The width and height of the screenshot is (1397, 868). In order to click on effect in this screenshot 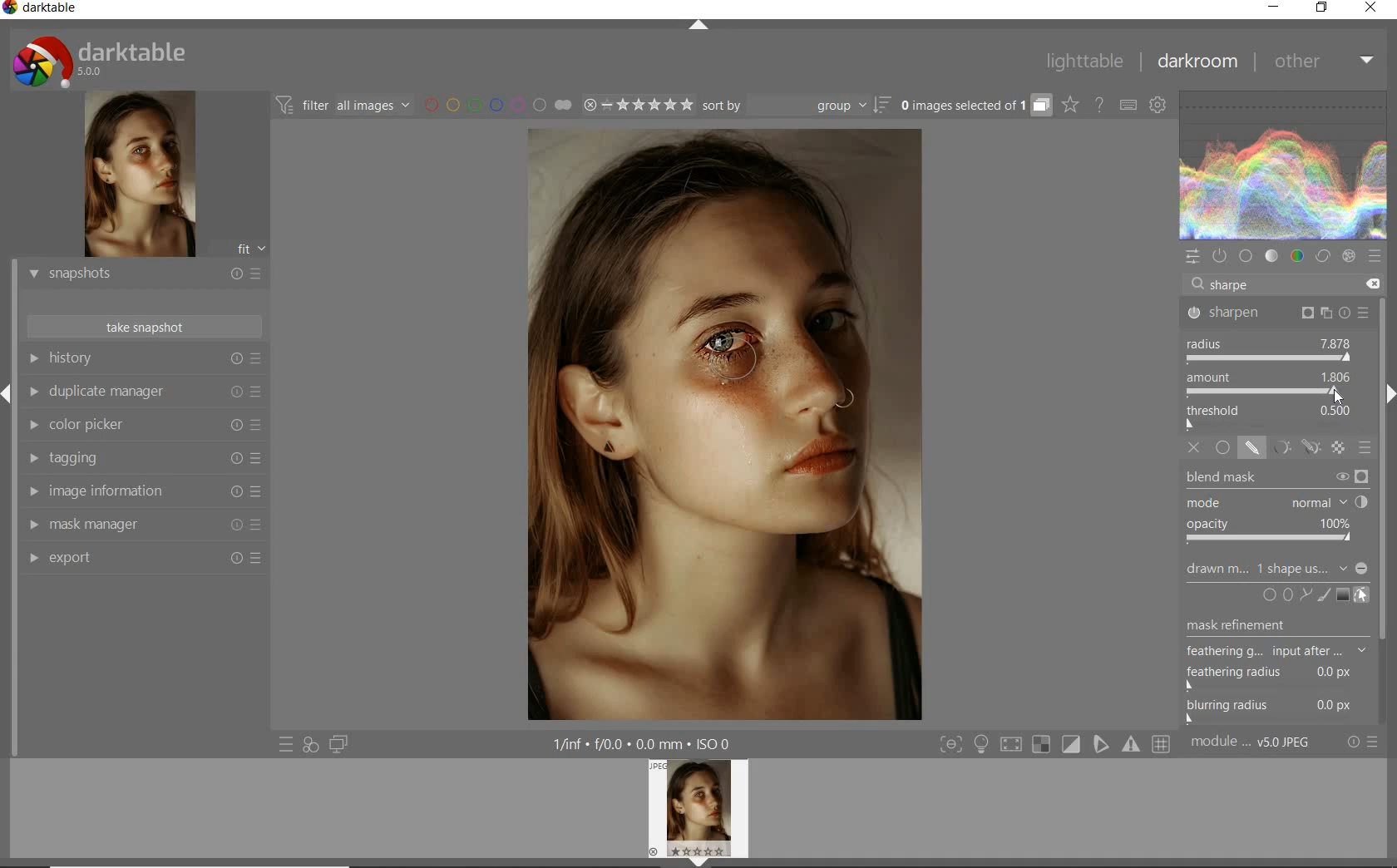, I will do `click(1349, 256)`.